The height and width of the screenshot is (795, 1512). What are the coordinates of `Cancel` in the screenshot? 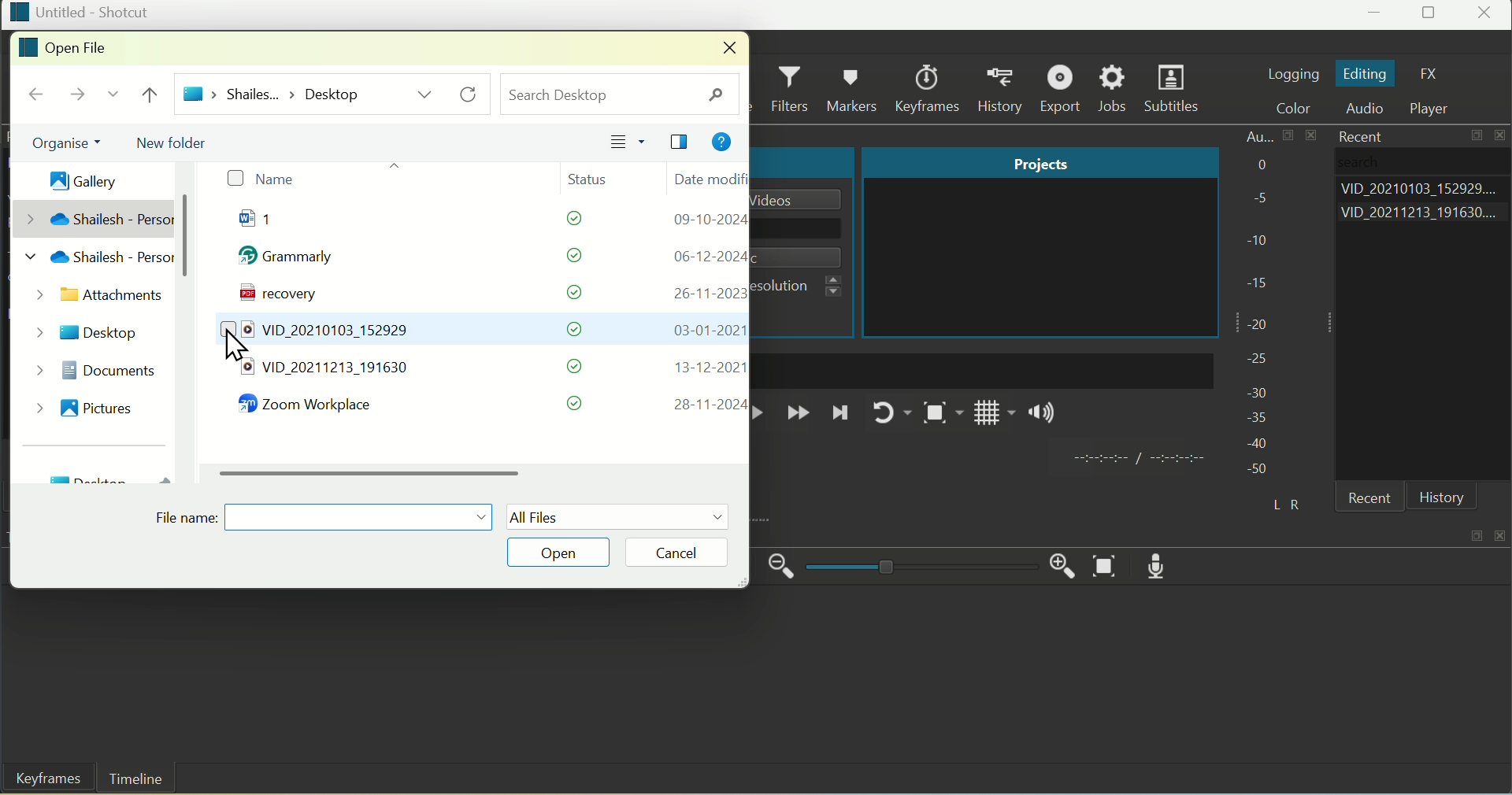 It's located at (689, 552).